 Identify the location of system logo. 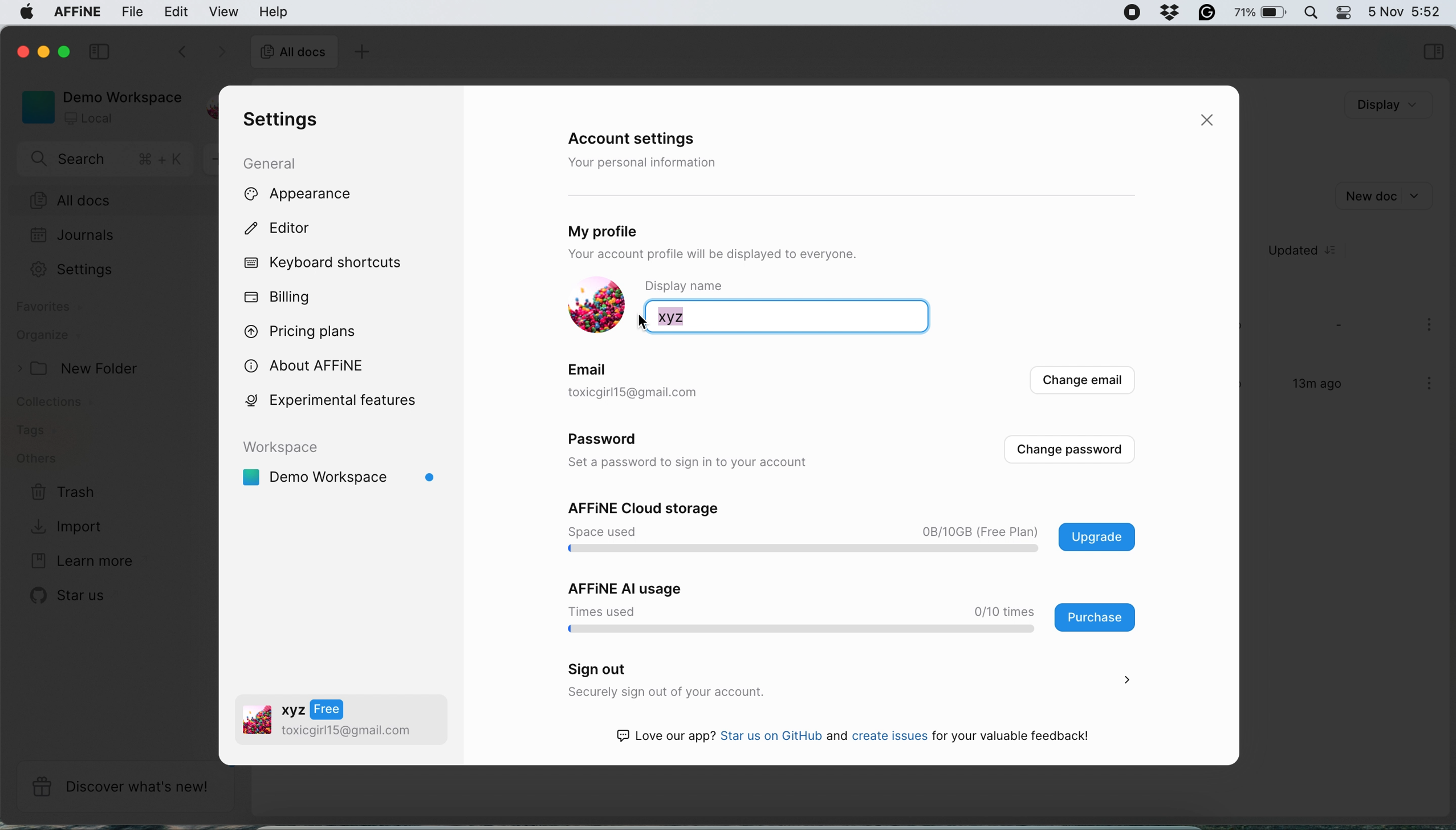
(22, 14).